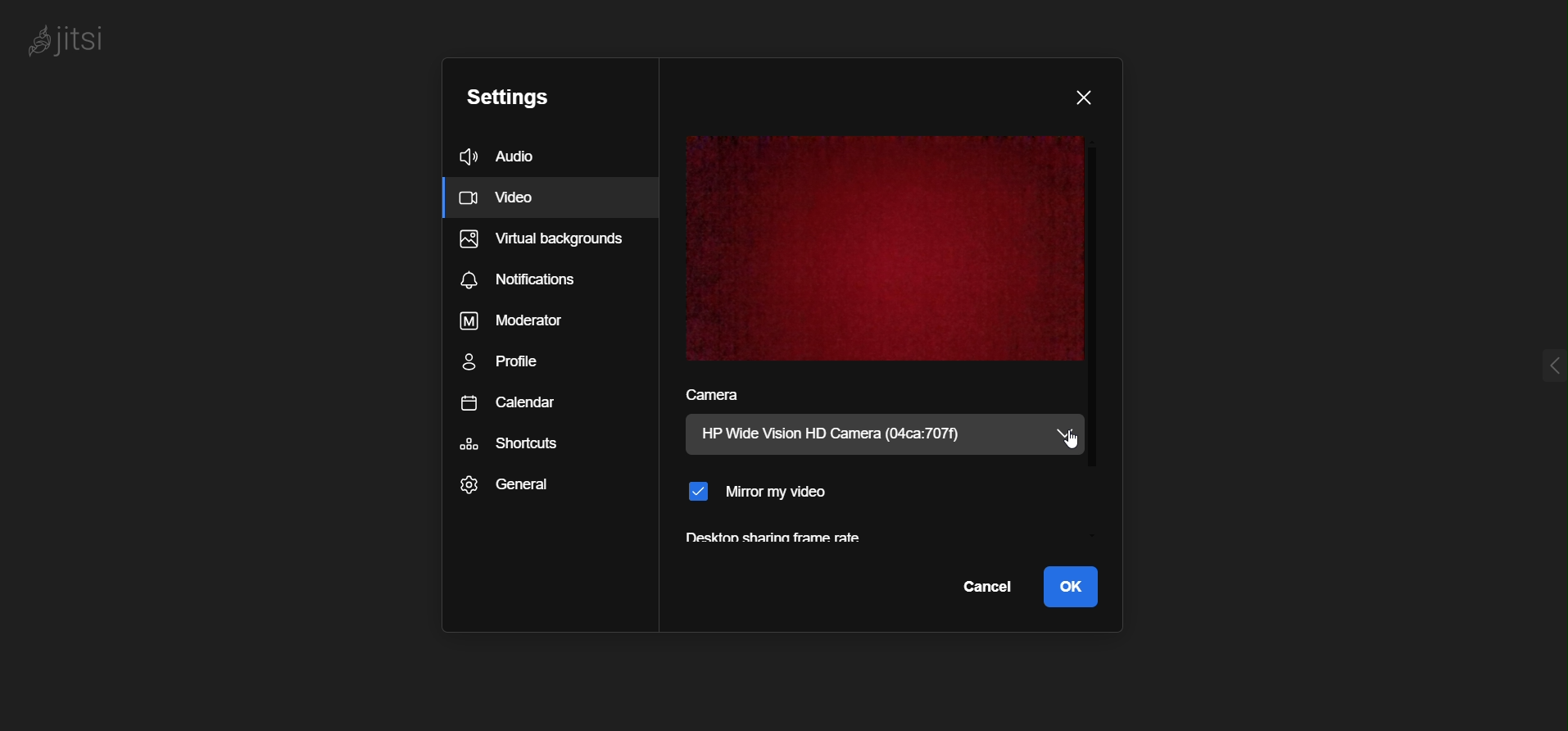 Image resolution: width=1568 pixels, height=731 pixels. What do you see at coordinates (532, 279) in the screenshot?
I see `notifications` at bounding box center [532, 279].